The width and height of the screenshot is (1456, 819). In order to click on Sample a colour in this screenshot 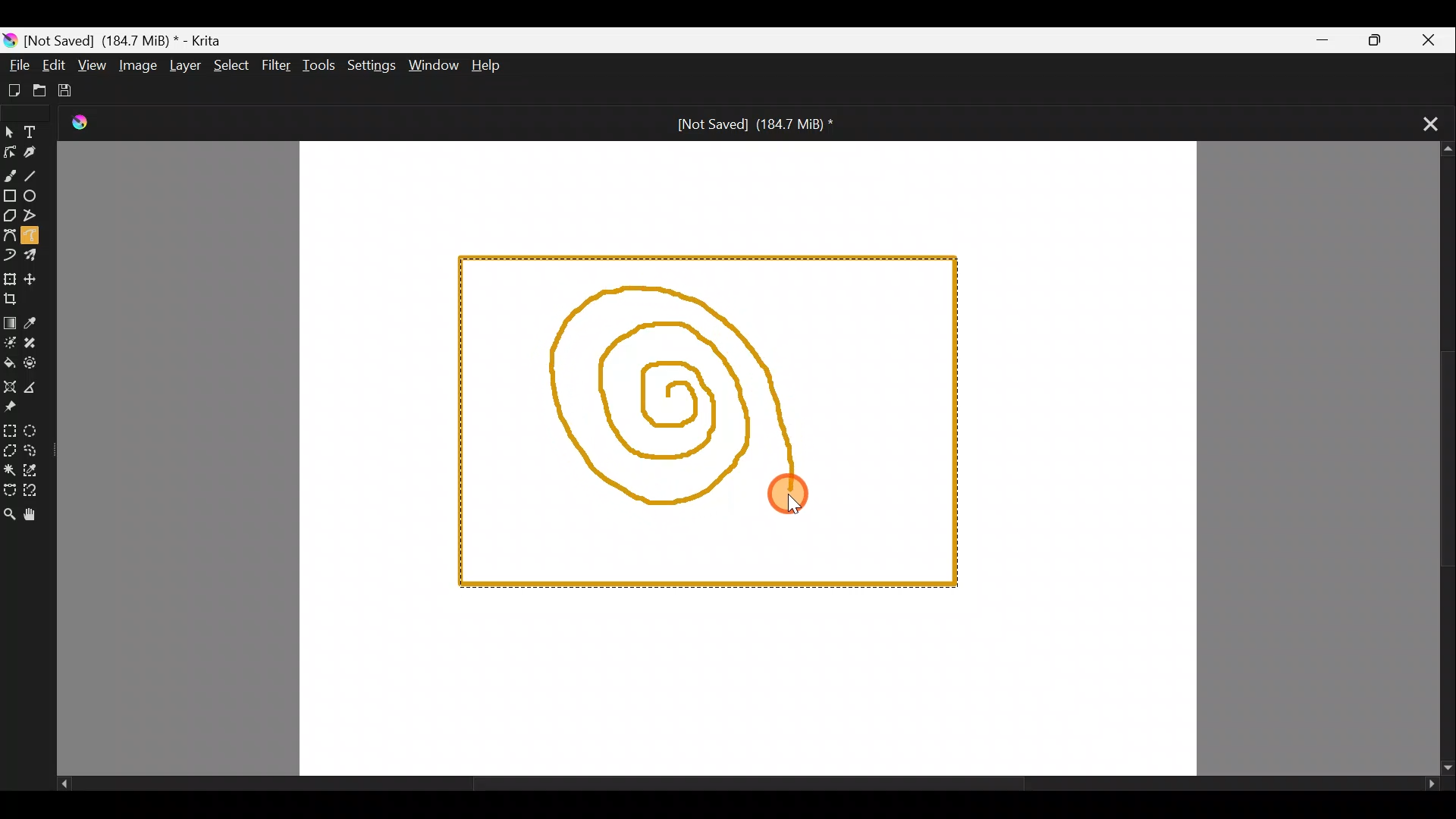, I will do `click(33, 323)`.